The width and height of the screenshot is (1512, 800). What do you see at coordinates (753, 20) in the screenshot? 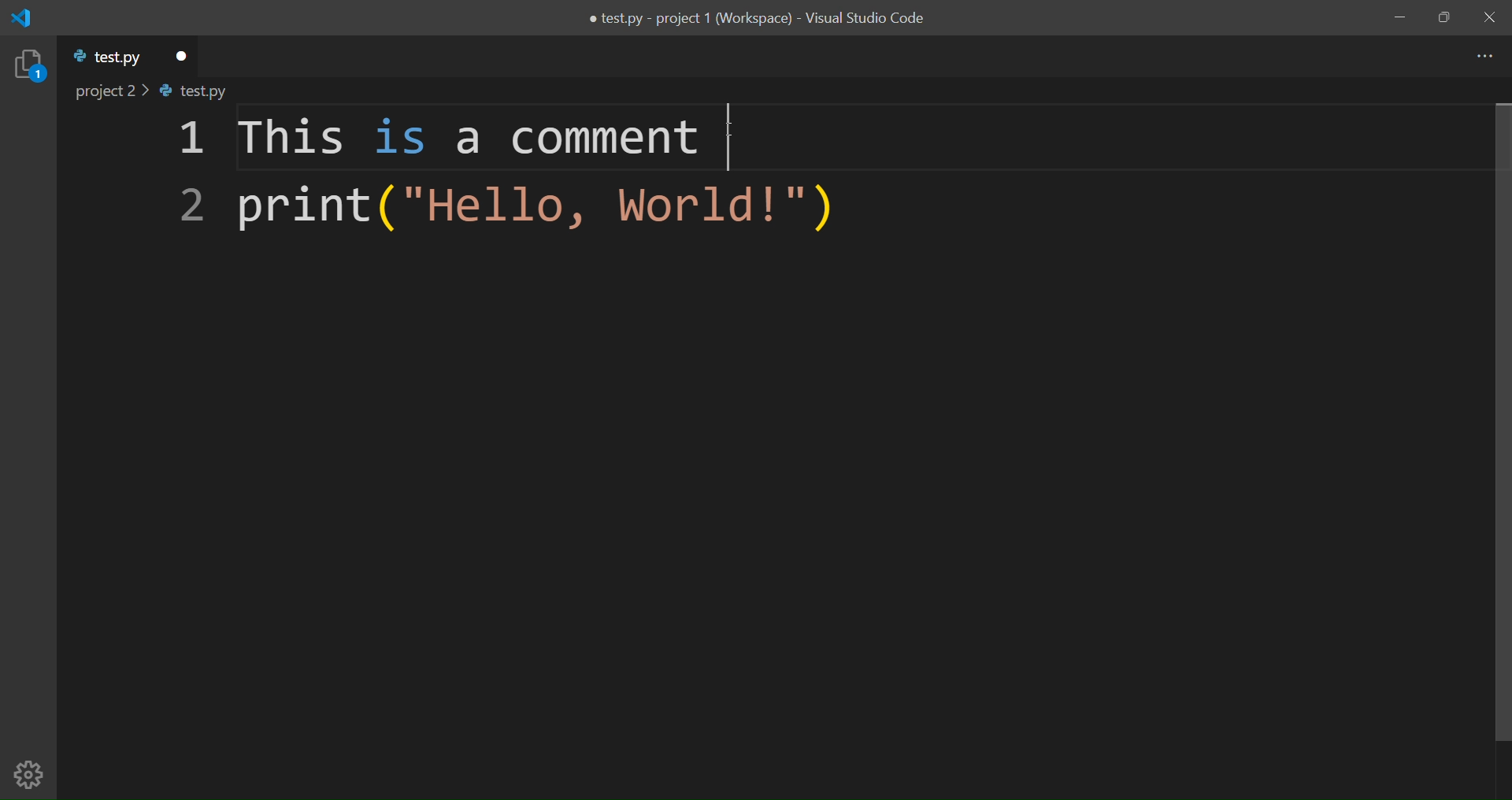
I see `title` at bounding box center [753, 20].